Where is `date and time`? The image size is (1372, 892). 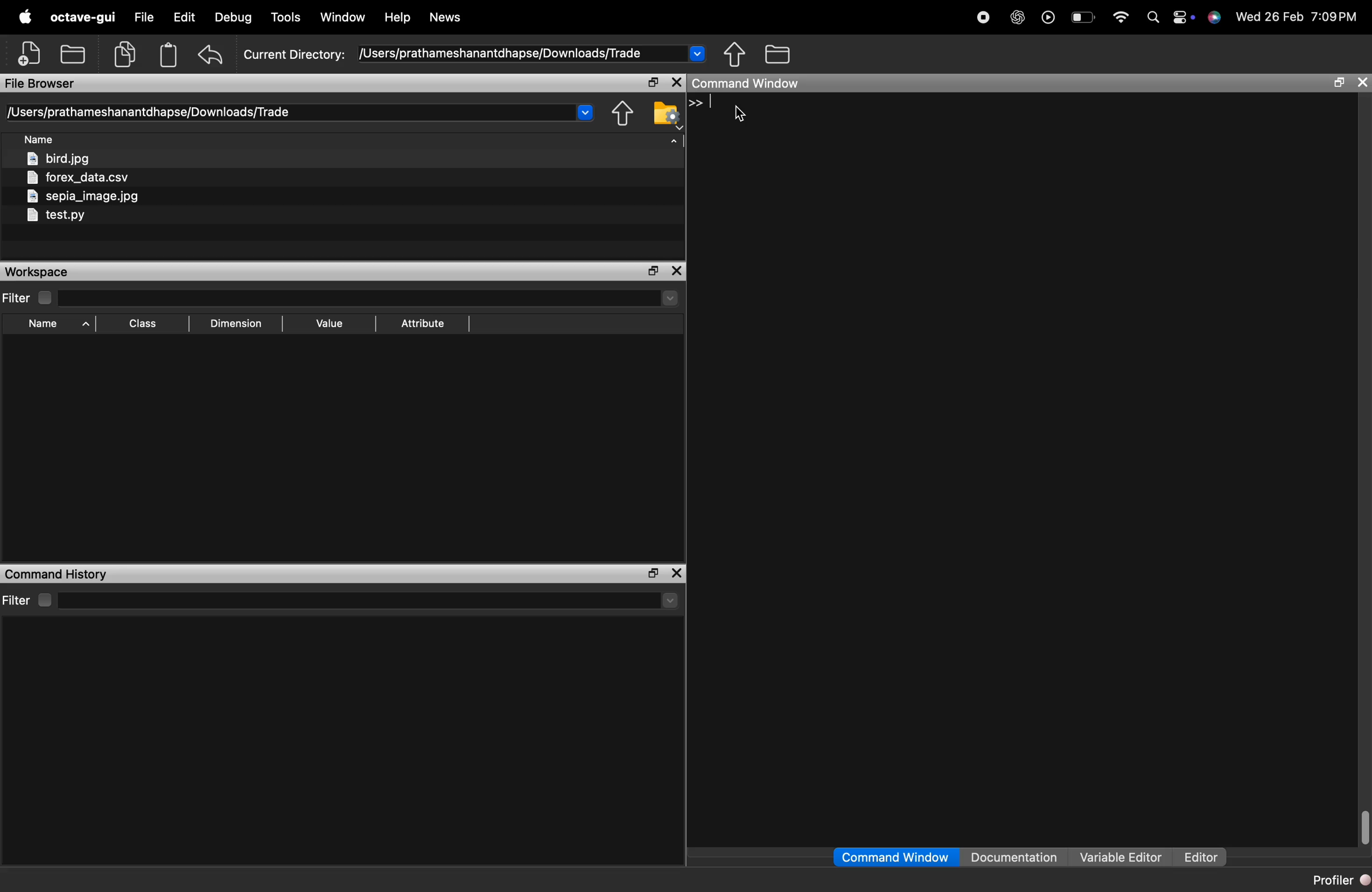
date and time is located at coordinates (1300, 19).